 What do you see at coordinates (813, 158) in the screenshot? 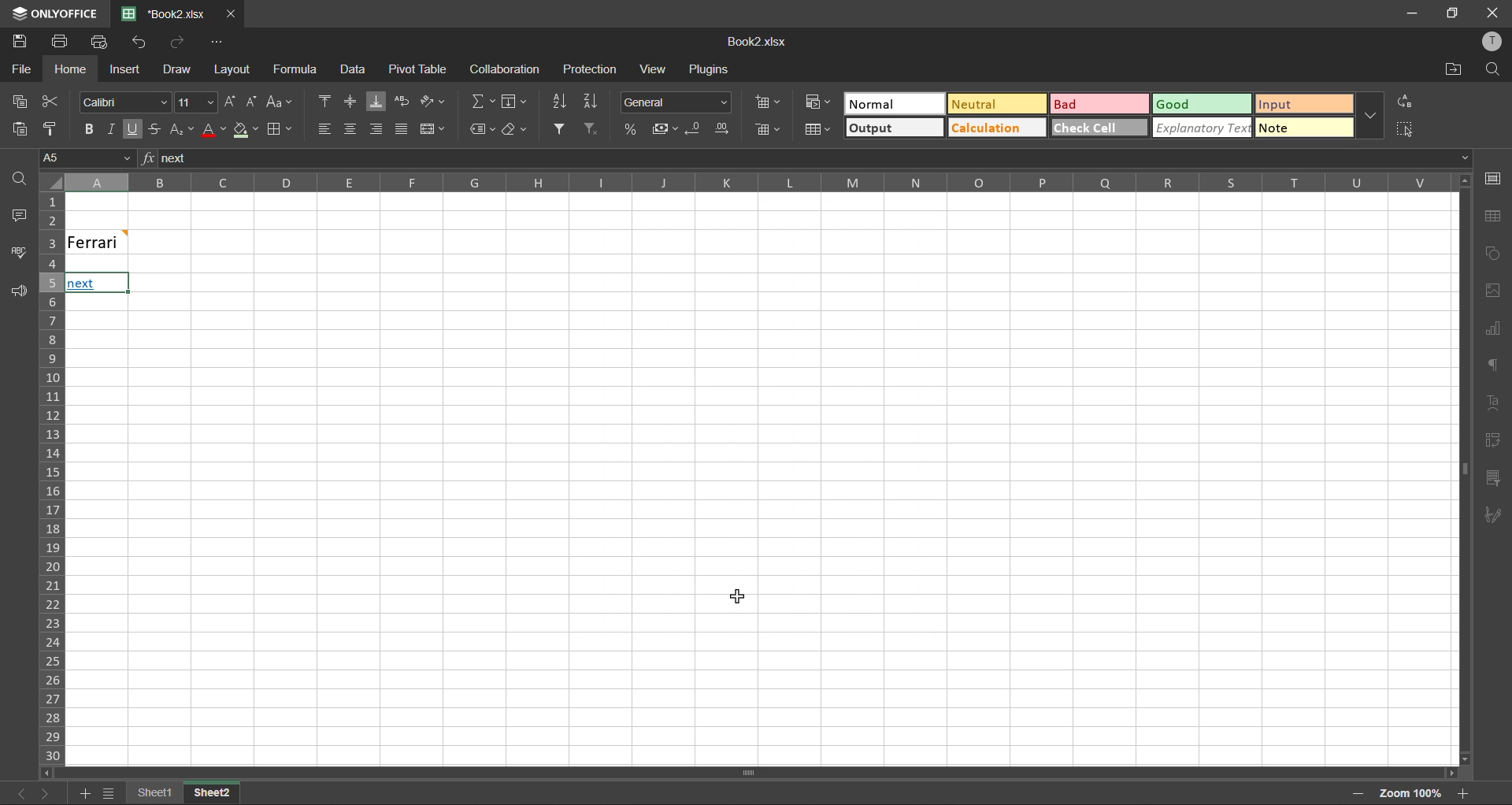
I see `formula bar` at bounding box center [813, 158].